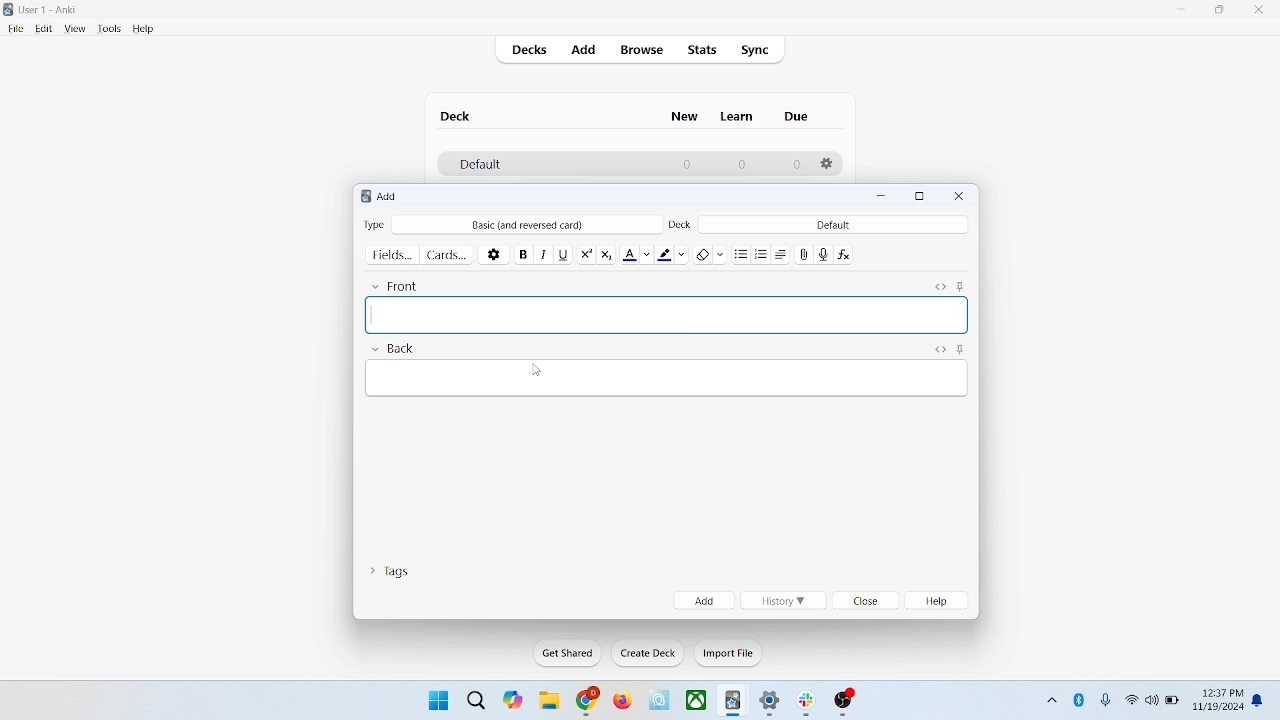 This screenshot has height=720, width=1280. I want to click on text color, so click(640, 253).